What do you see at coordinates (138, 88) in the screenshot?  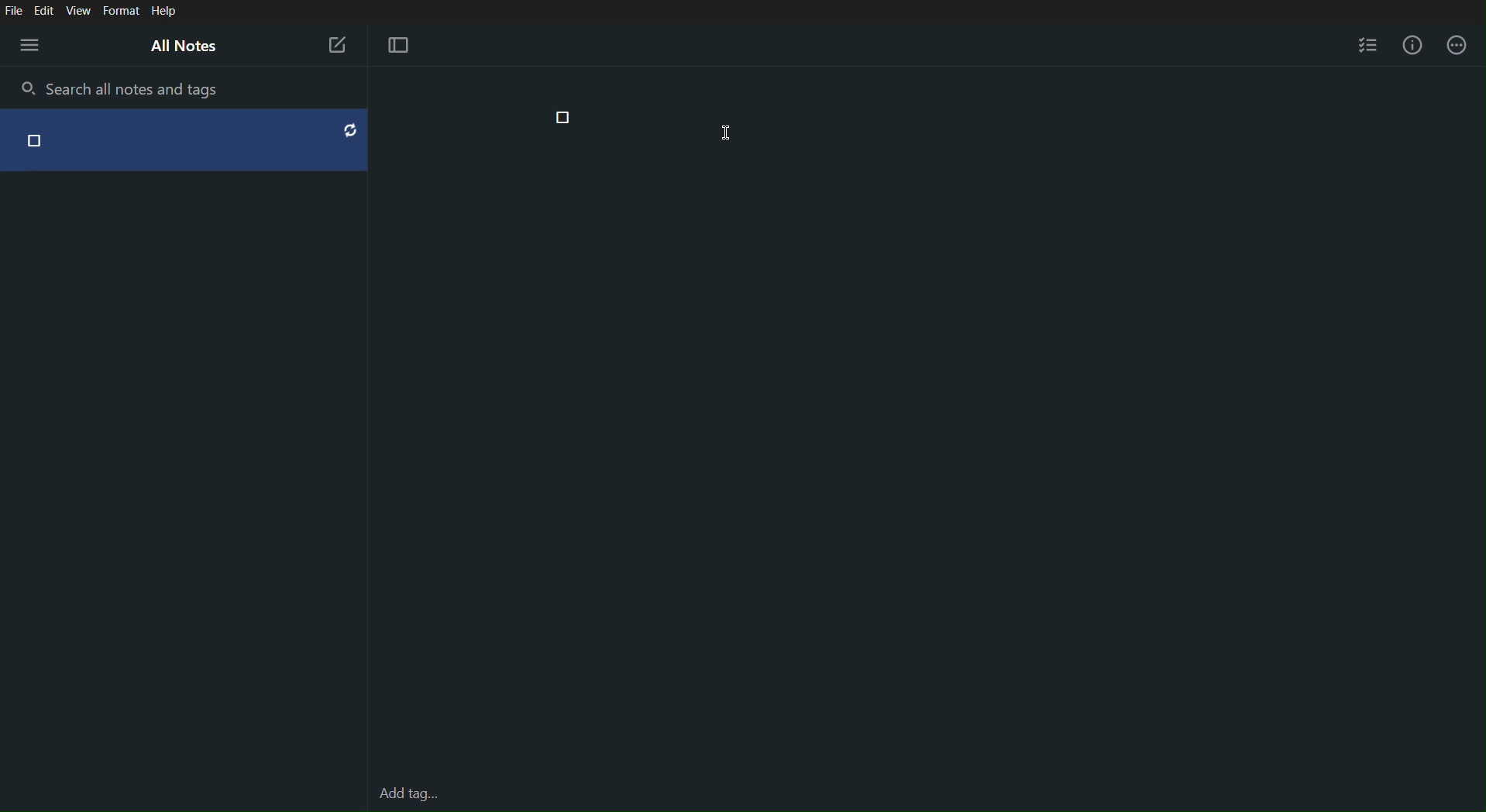 I see `Search all notes and tags` at bounding box center [138, 88].